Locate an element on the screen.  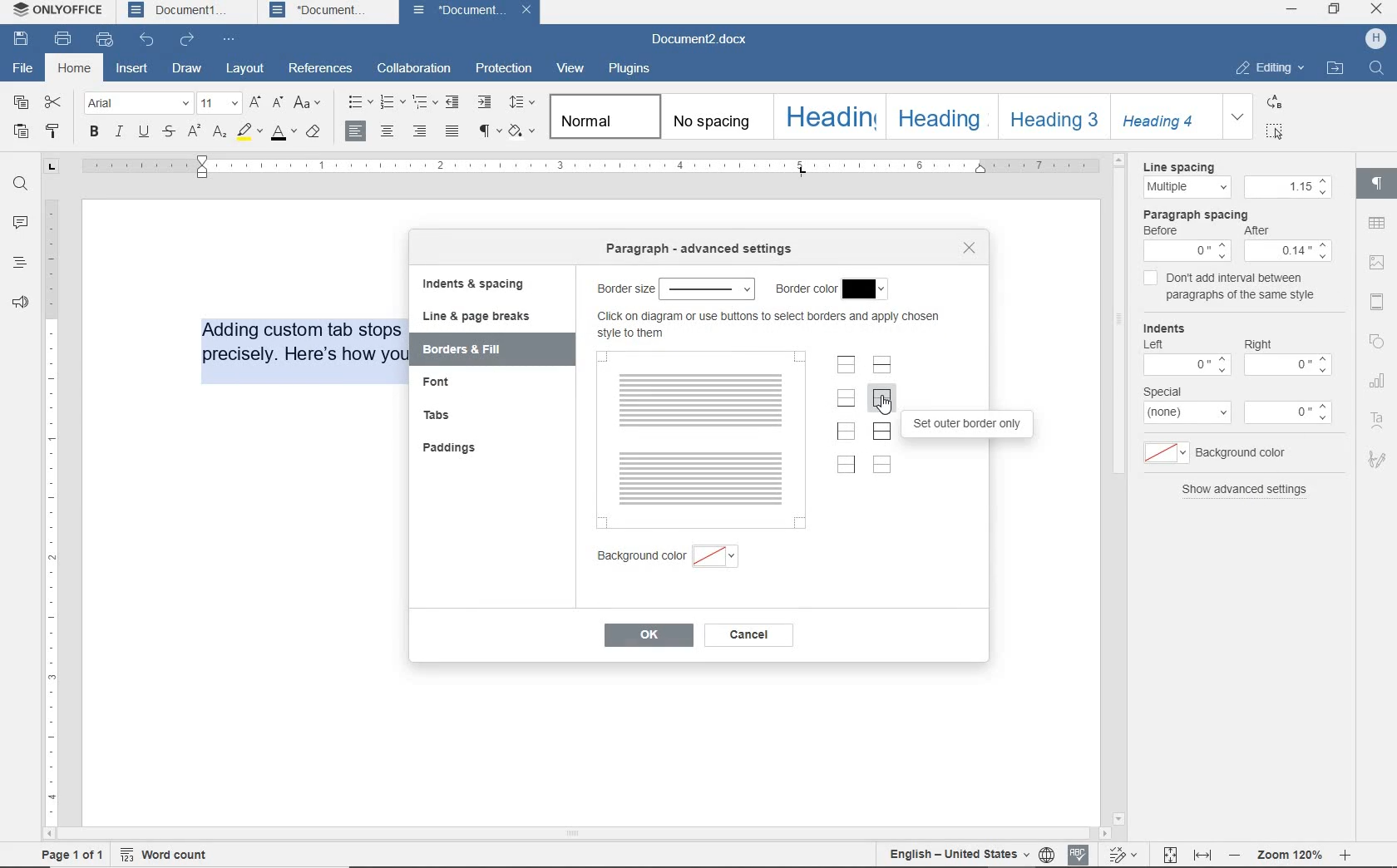
heading 1 is located at coordinates (827, 117).